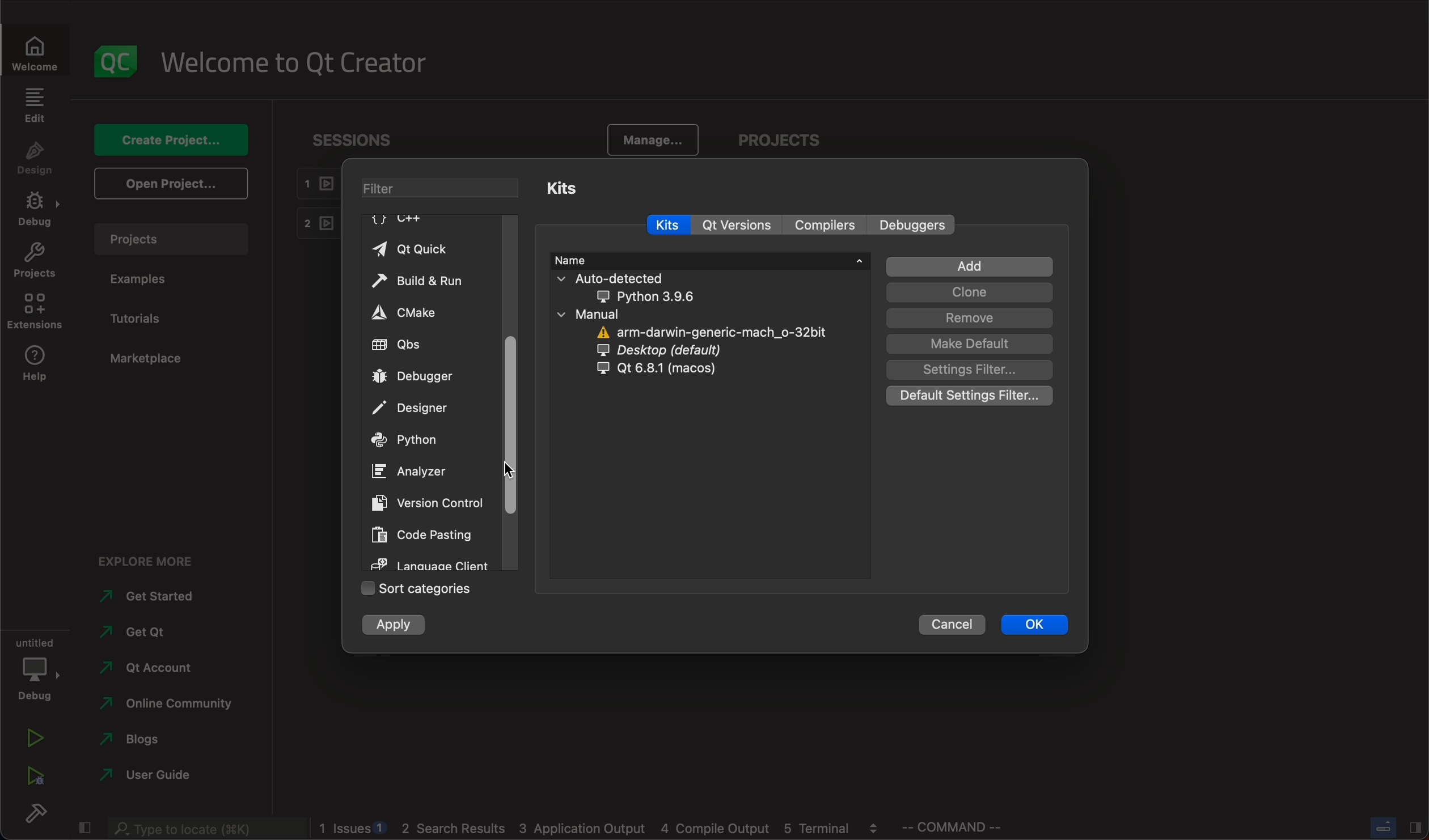  I want to click on debuggers, so click(914, 224).